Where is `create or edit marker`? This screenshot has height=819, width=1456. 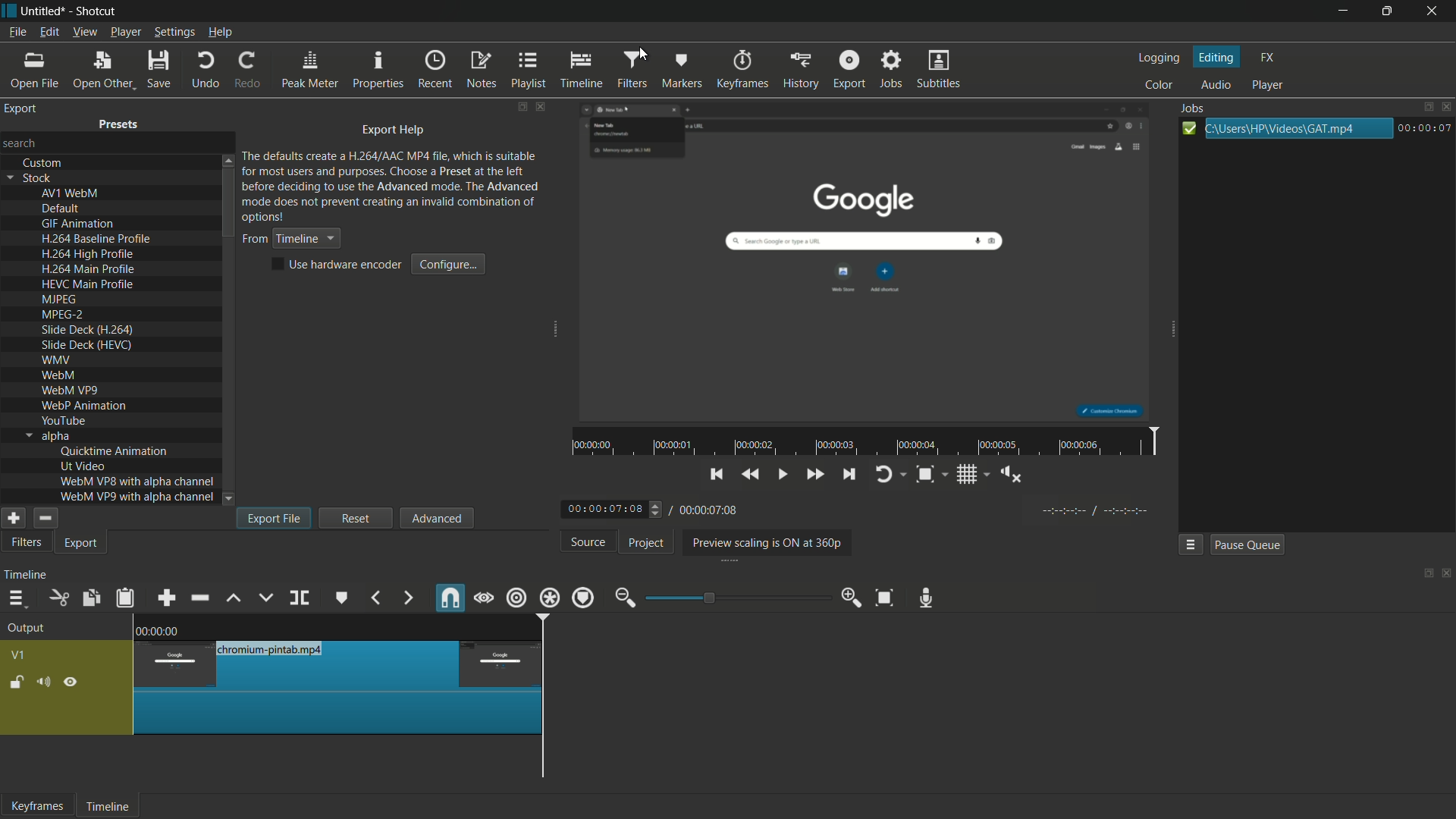 create or edit marker is located at coordinates (342, 598).